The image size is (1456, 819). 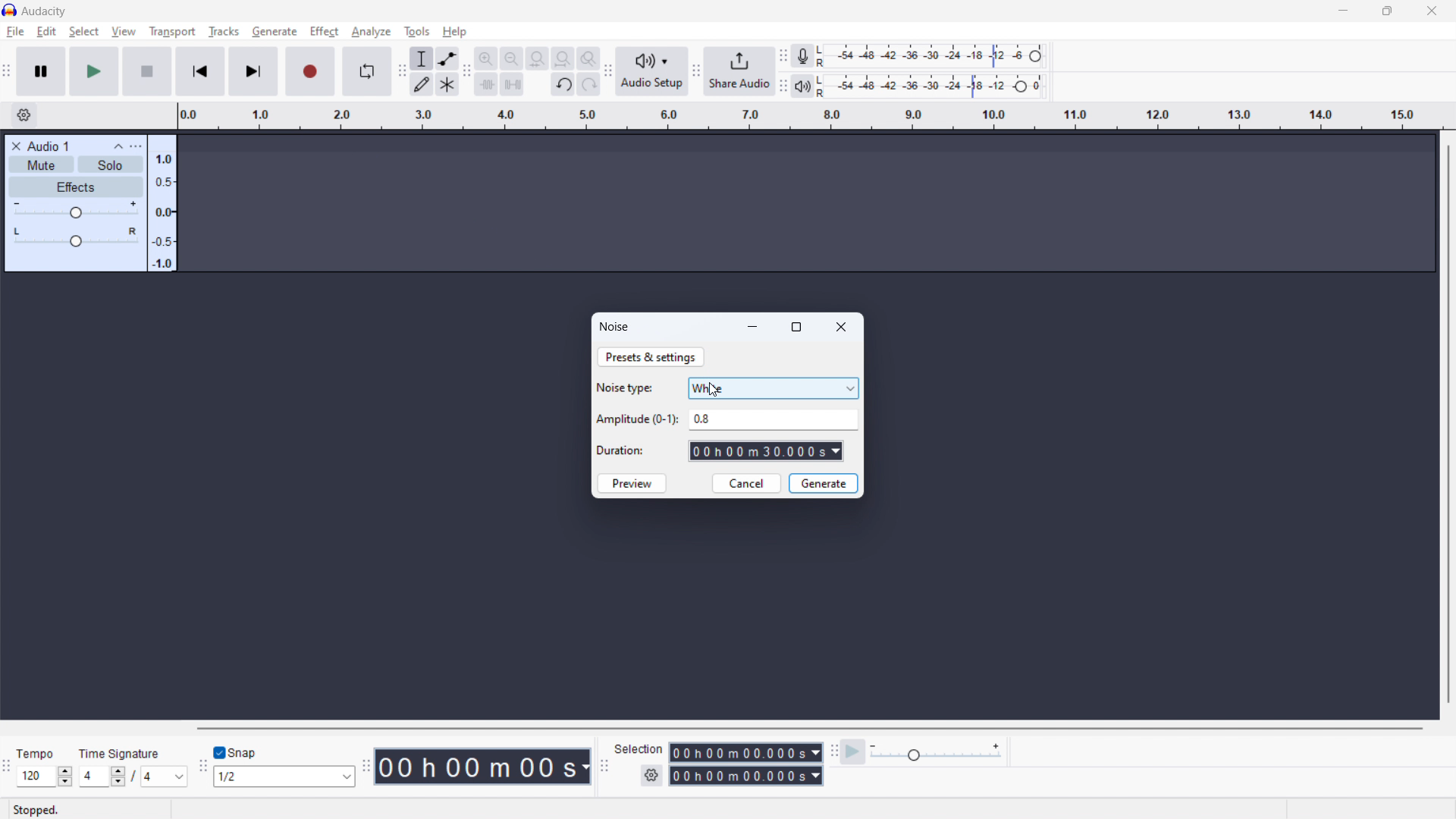 What do you see at coordinates (652, 72) in the screenshot?
I see `audio setup` at bounding box center [652, 72].